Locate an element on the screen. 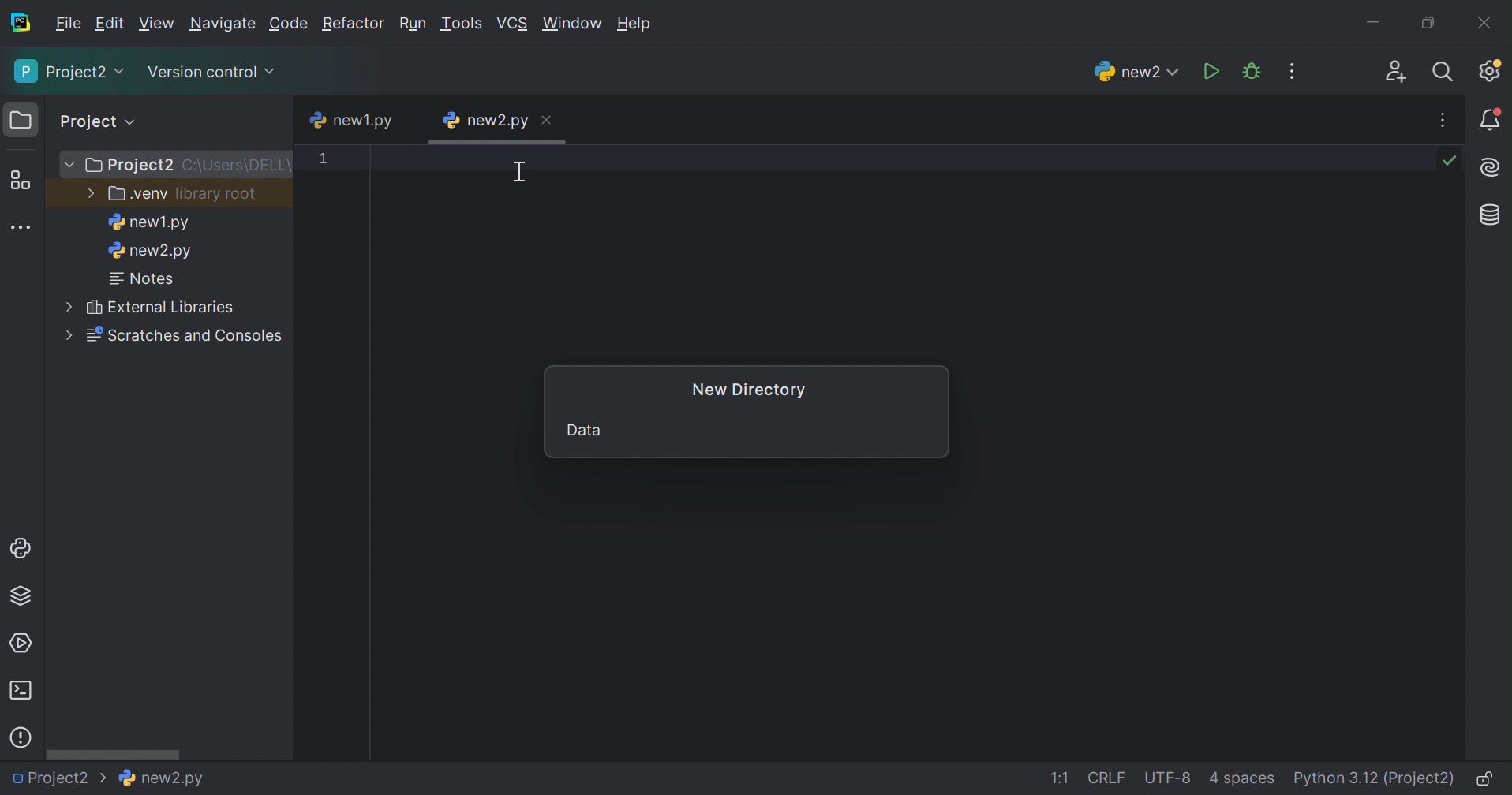 The width and height of the screenshot is (1512, 795). New Directory is located at coordinates (750, 389).